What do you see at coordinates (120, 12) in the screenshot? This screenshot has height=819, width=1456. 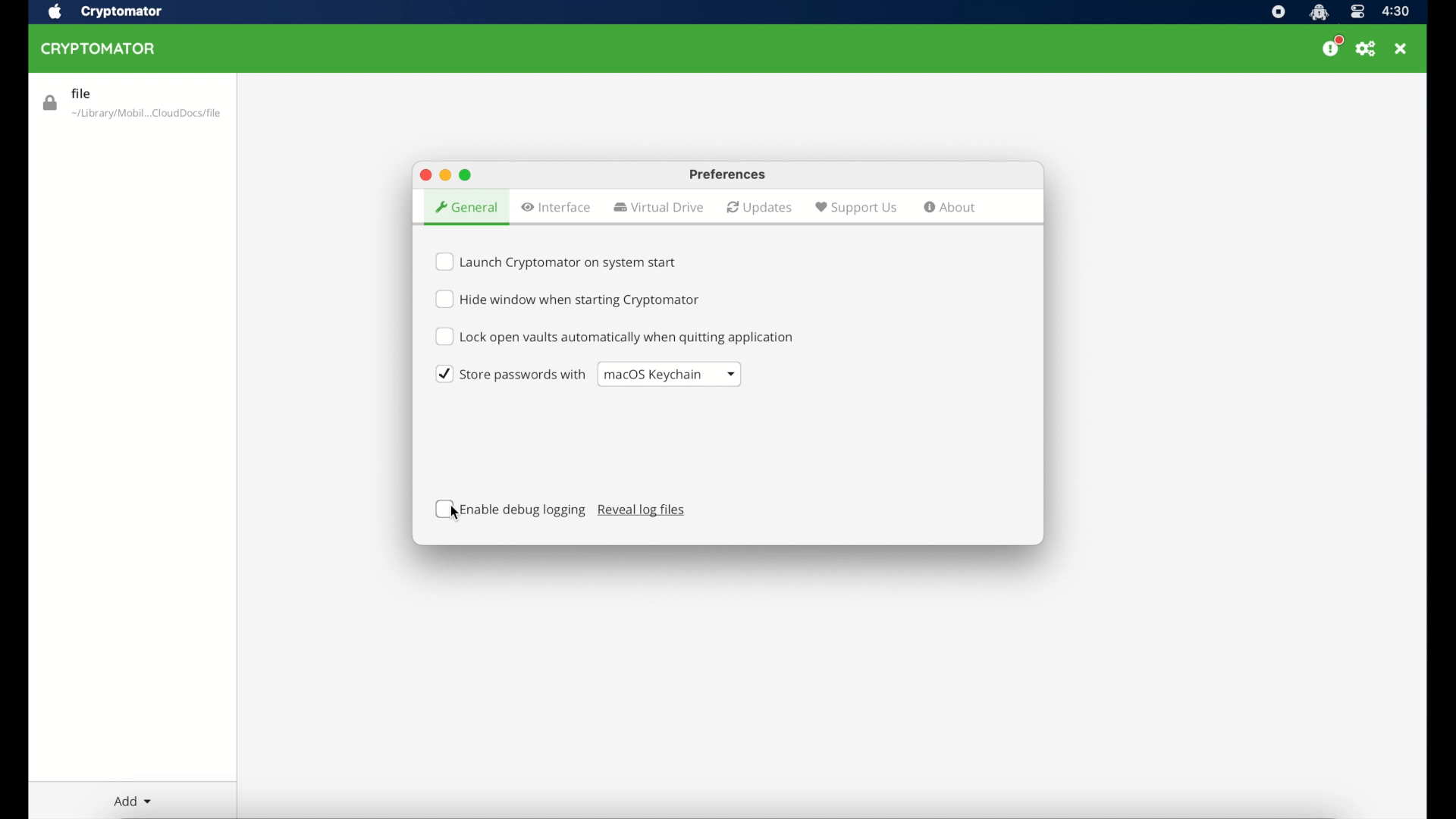 I see `crytomator` at bounding box center [120, 12].